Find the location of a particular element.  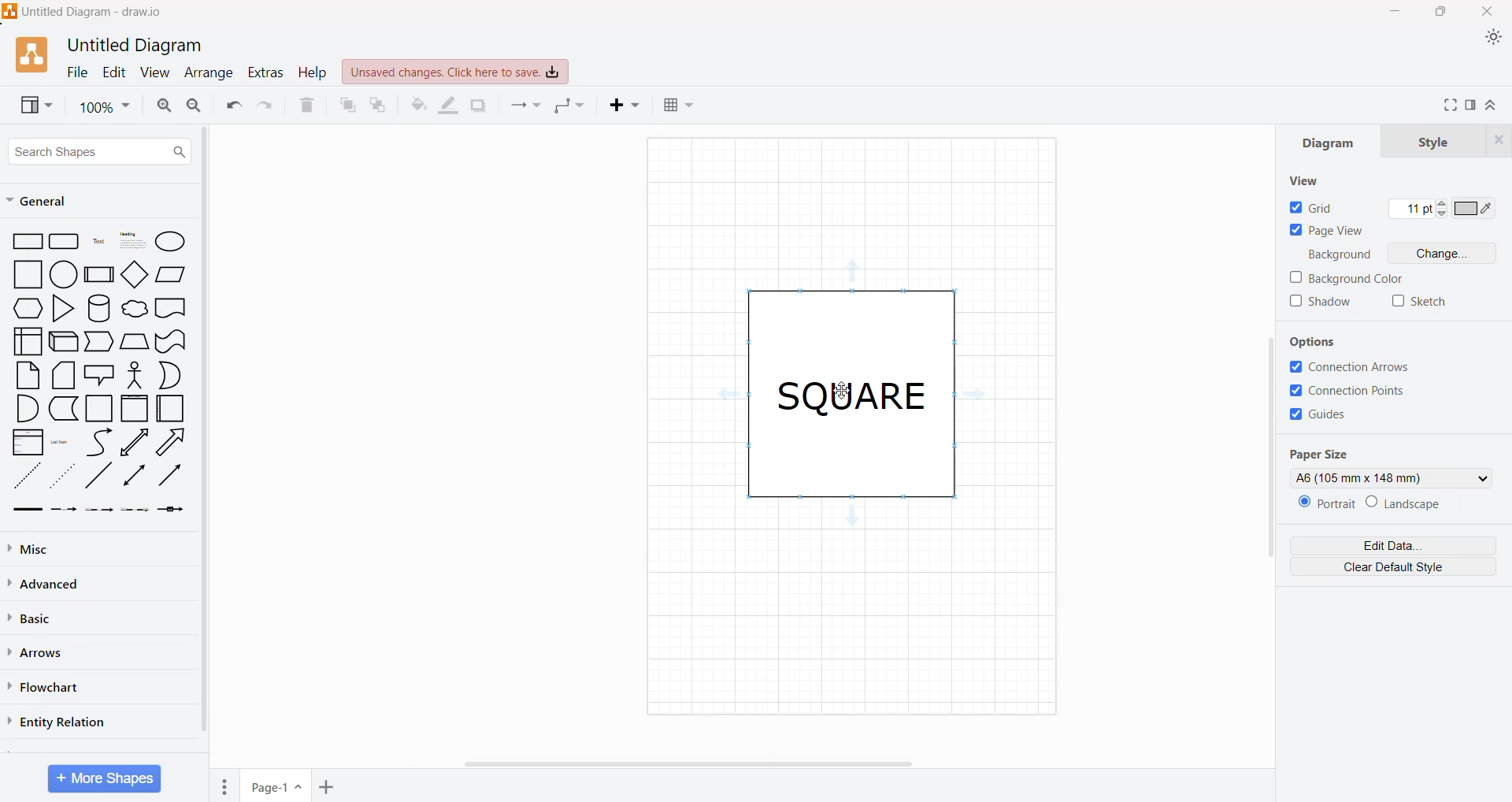

Set color of Grid is located at coordinates (1477, 211).